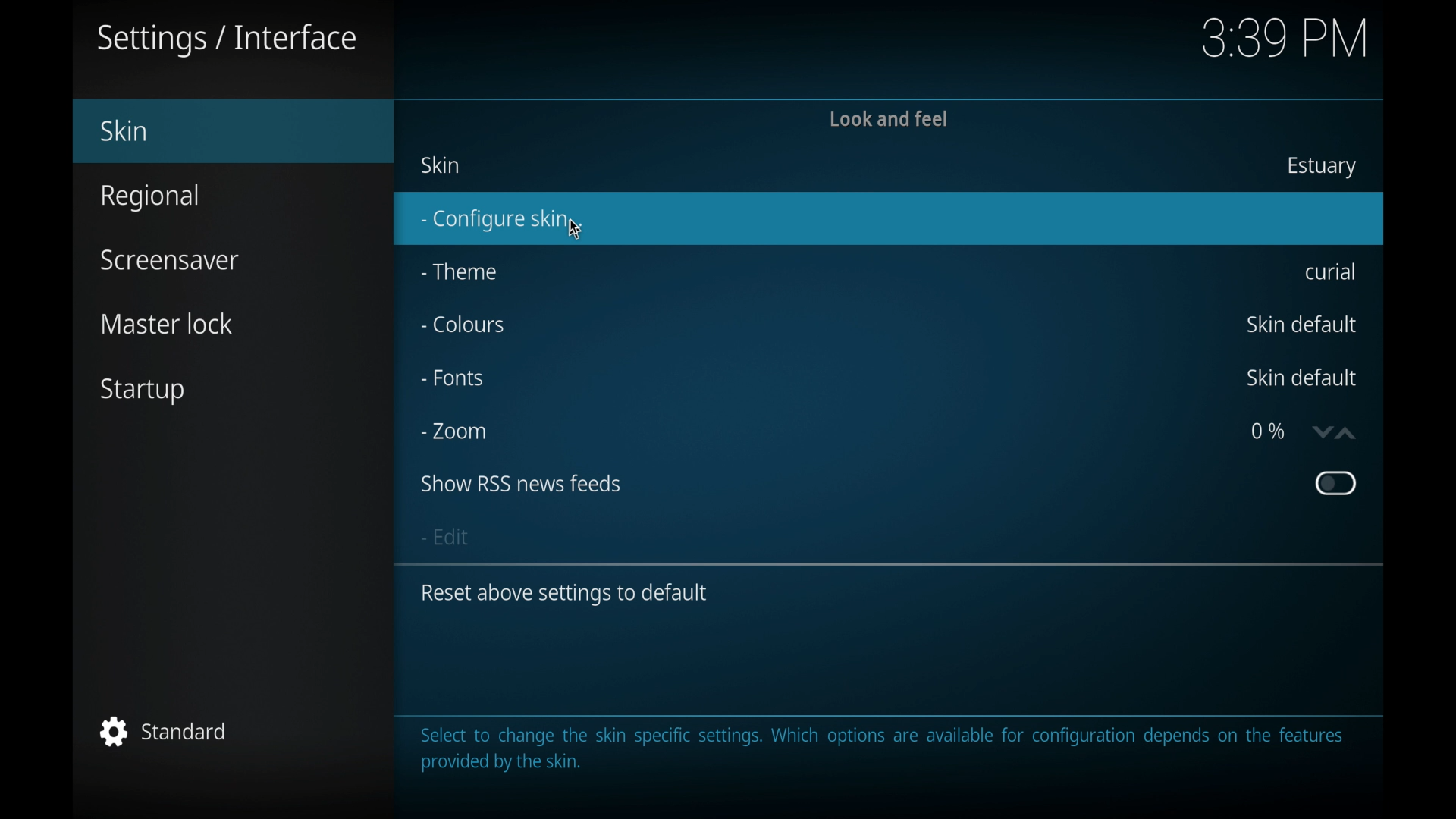  Describe the element at coordinates (168, 325) in the screenshot. I see `master lock` at that location.